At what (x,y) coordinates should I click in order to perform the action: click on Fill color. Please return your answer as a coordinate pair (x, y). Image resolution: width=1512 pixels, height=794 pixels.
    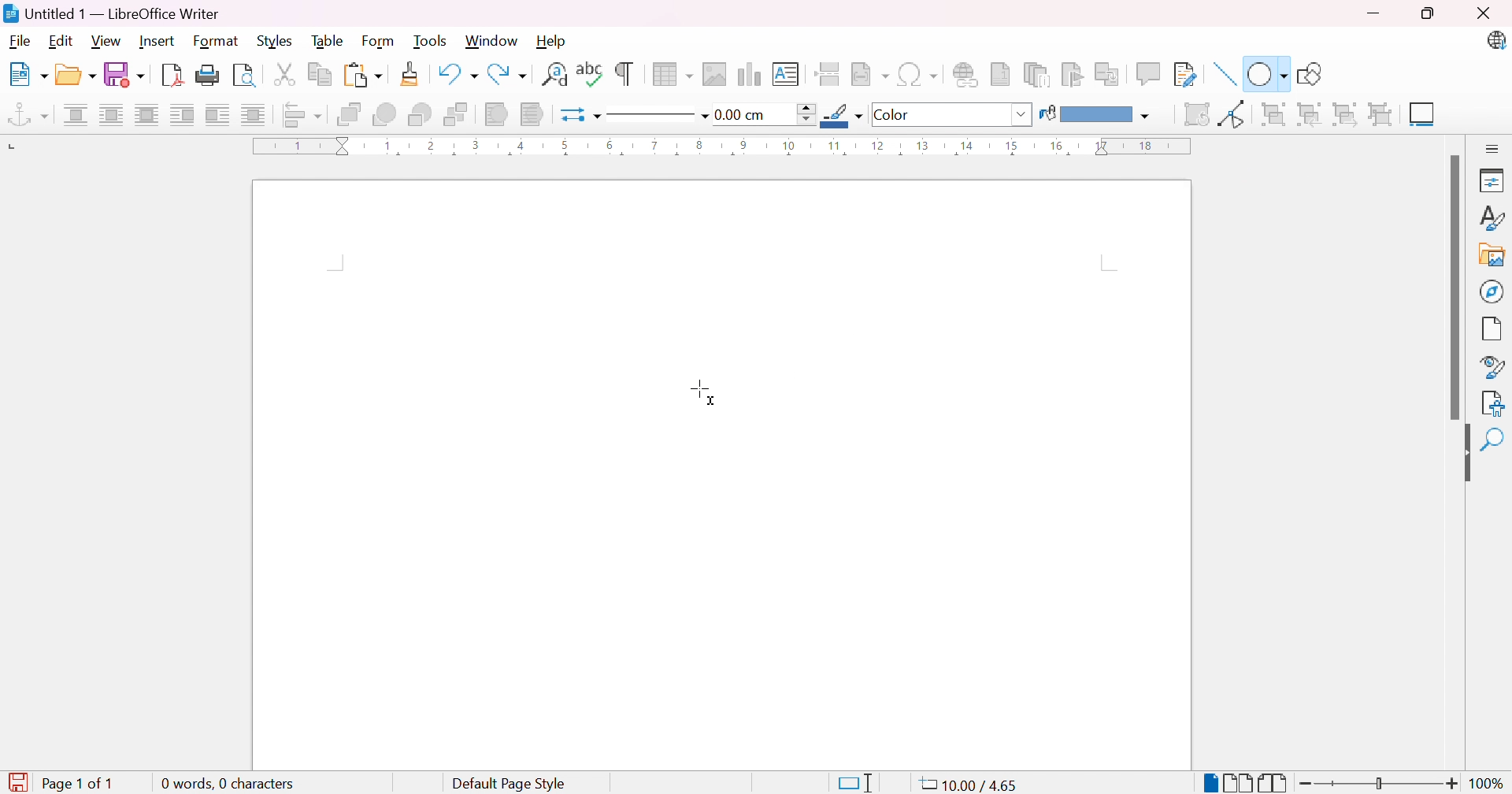
    Looking at the image, I should click on (1095, 116).